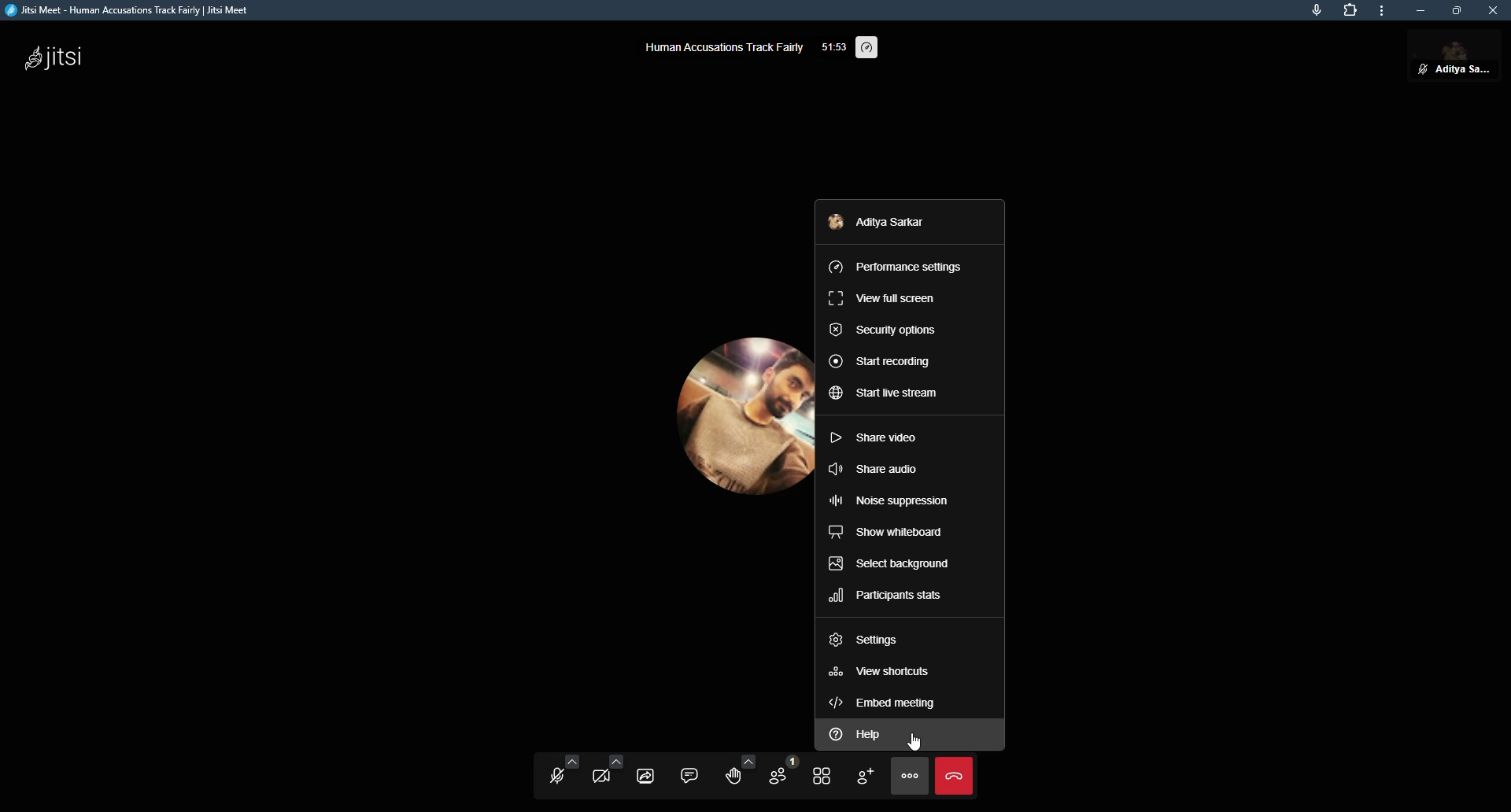  Describe the element at coordinates (860, 639) in the screenshot. I see `settings` at that location.